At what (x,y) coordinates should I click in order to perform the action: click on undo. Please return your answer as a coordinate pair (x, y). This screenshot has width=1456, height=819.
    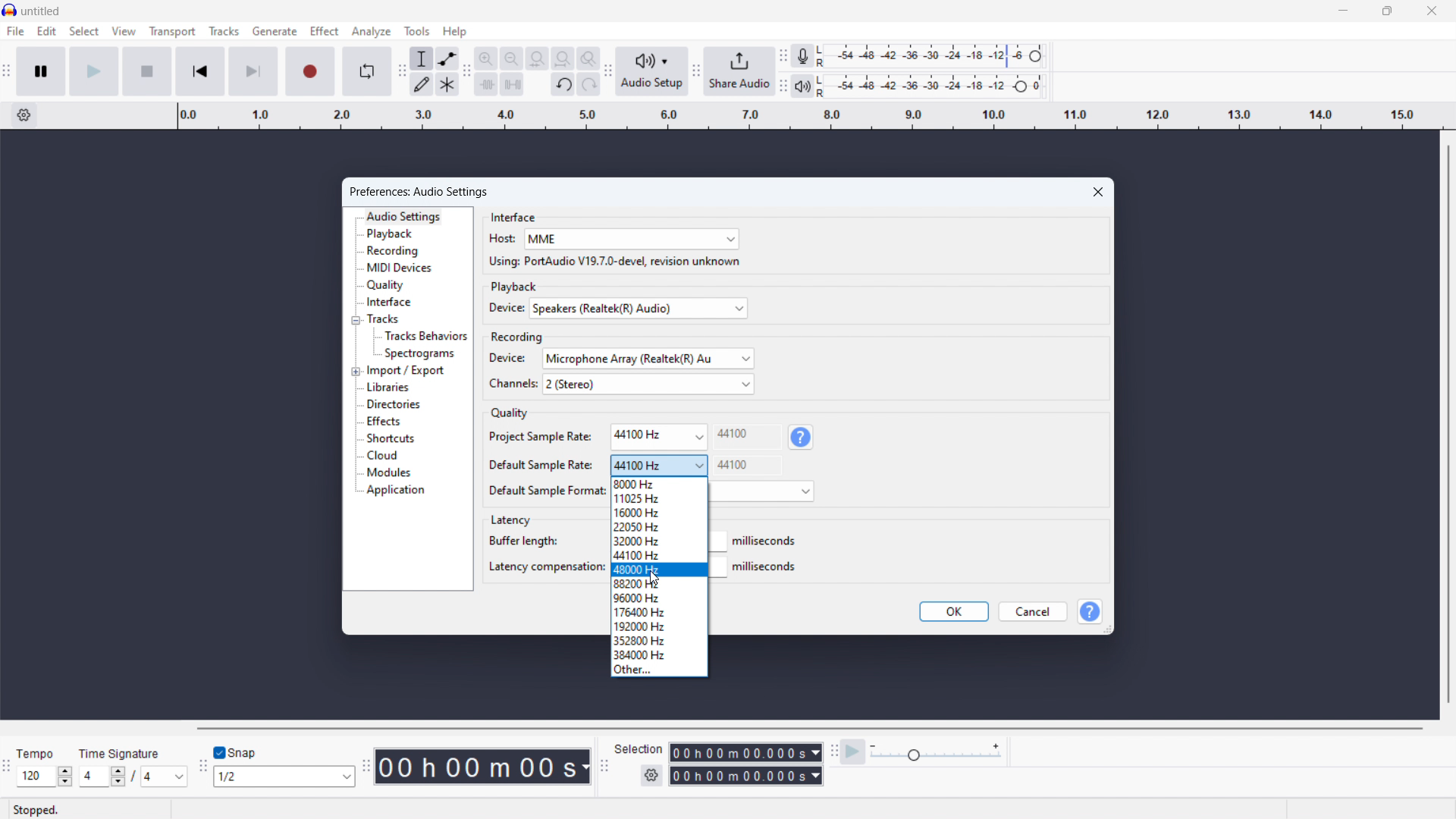
    Looking at the image, I should click on (563, 85).